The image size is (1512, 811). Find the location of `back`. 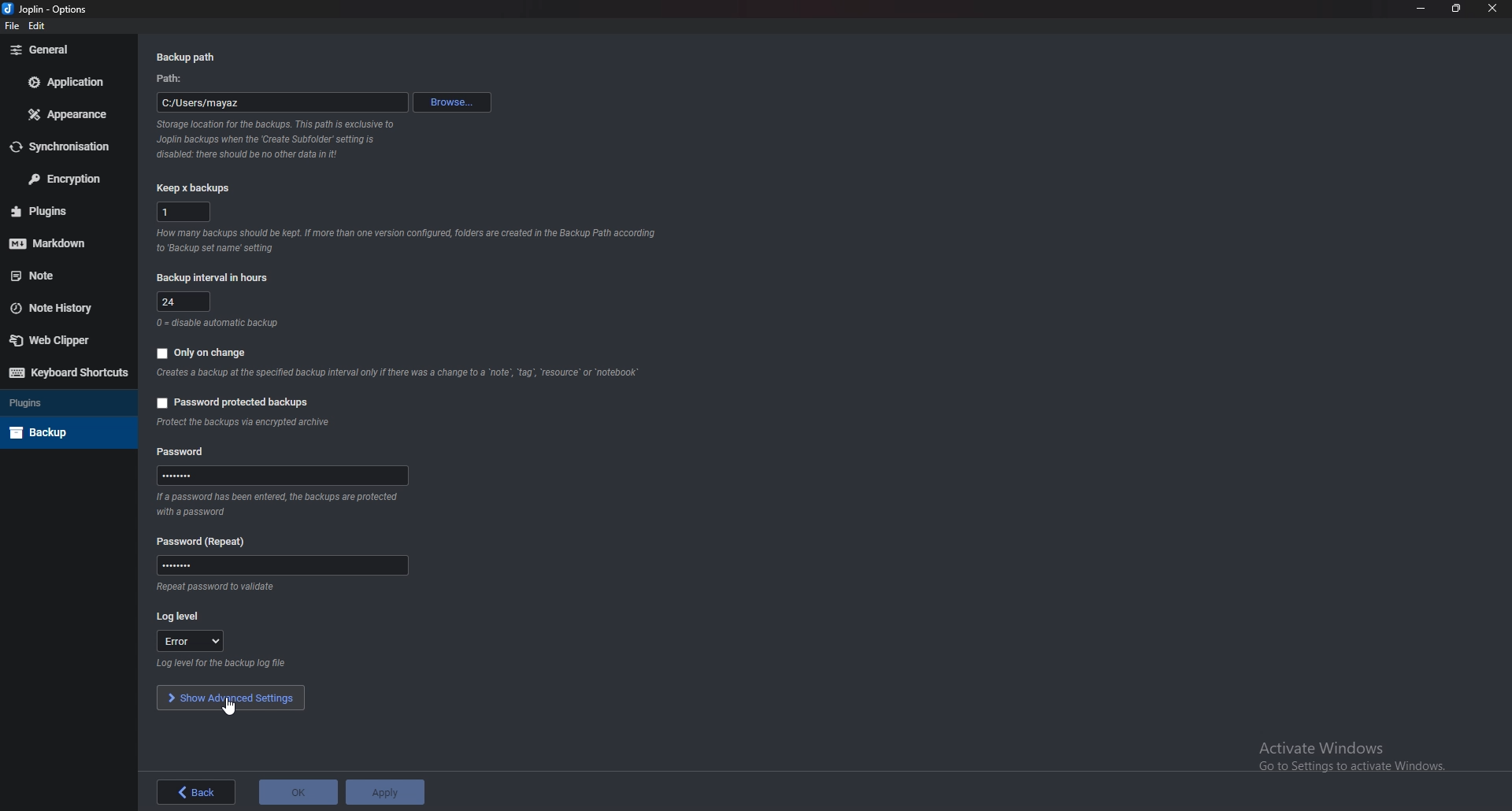

back is located at coordinates (197, 792).